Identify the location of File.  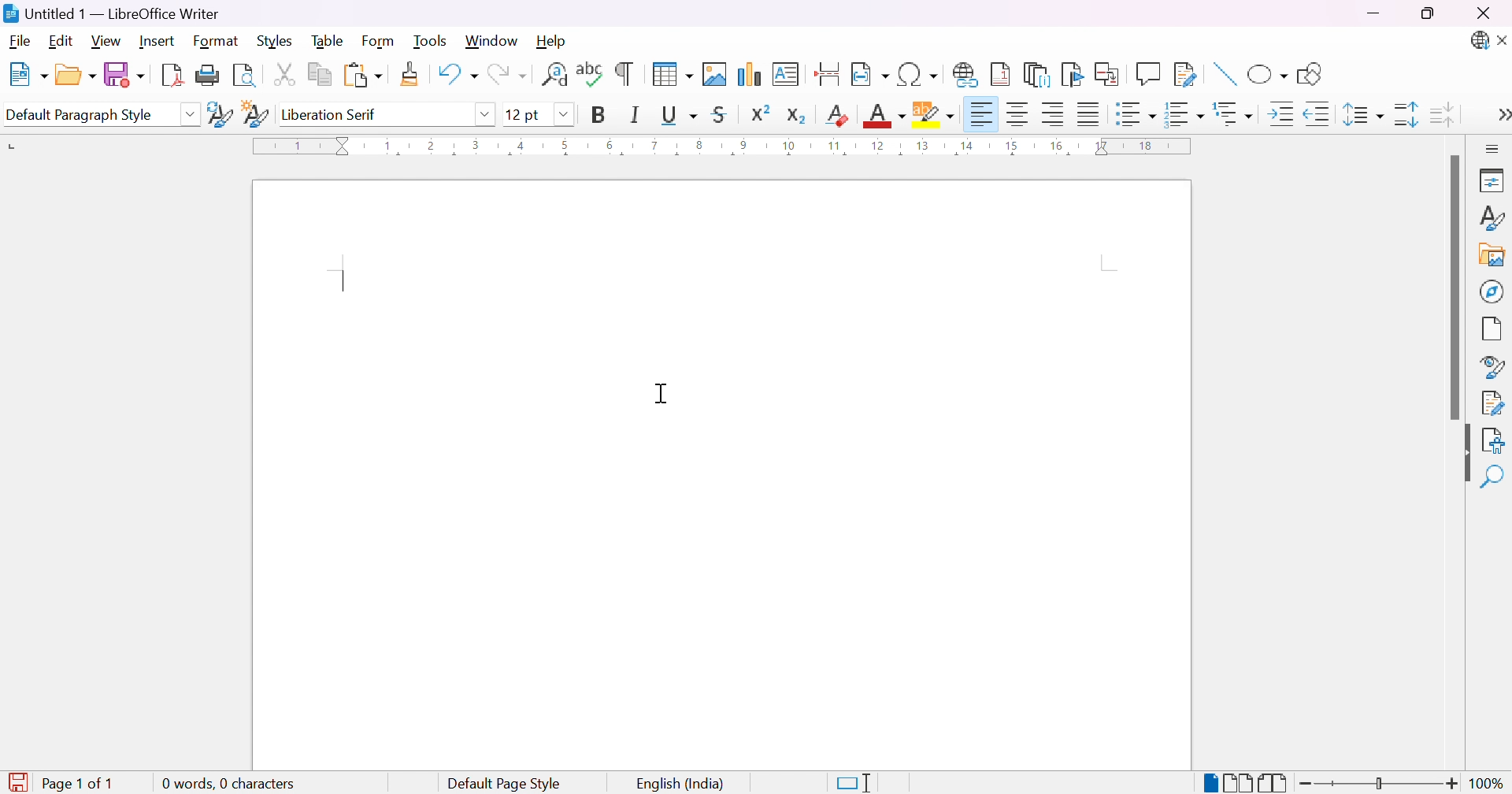
(21, 43).